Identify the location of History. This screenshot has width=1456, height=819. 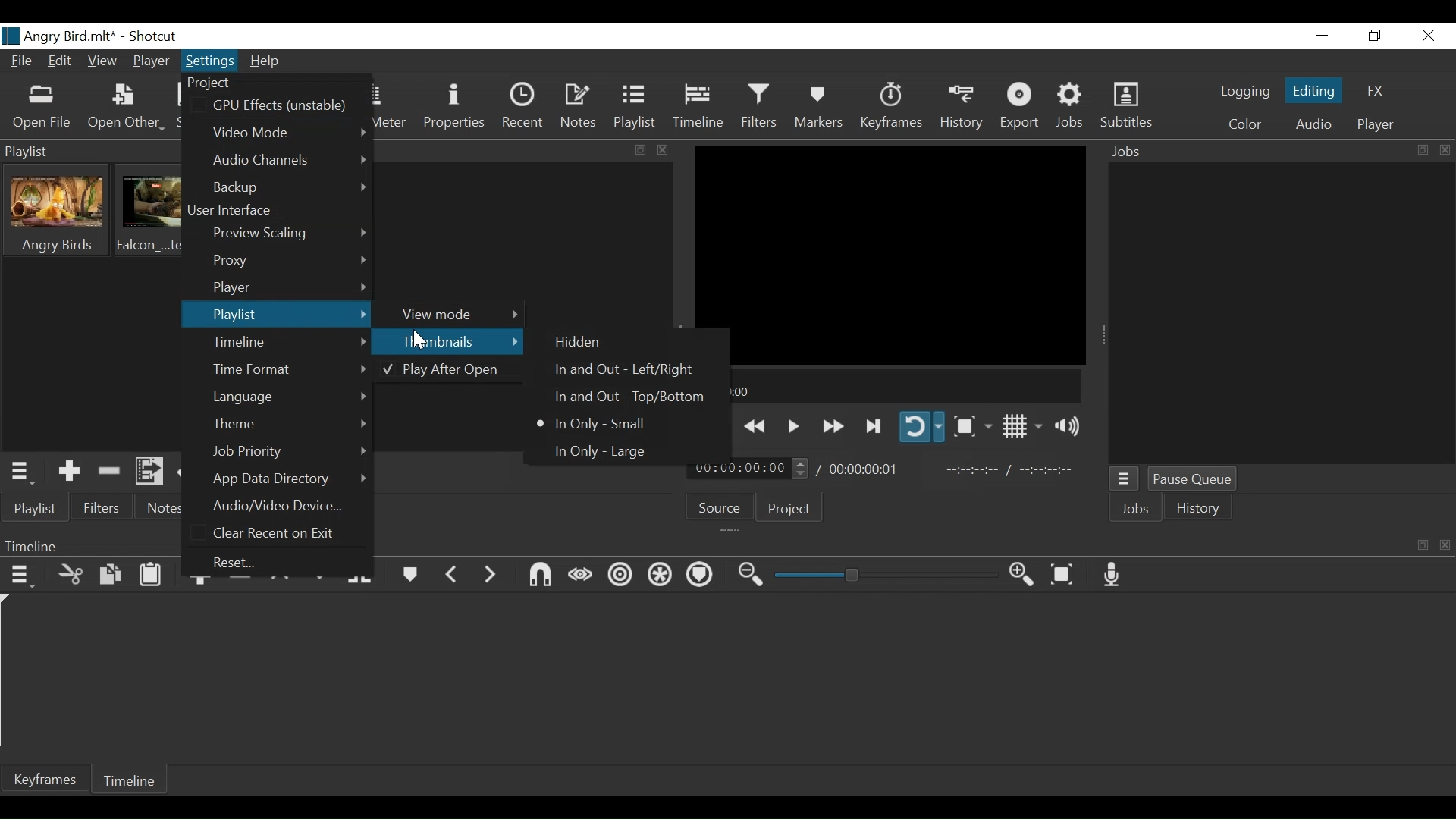
(1199, 507).